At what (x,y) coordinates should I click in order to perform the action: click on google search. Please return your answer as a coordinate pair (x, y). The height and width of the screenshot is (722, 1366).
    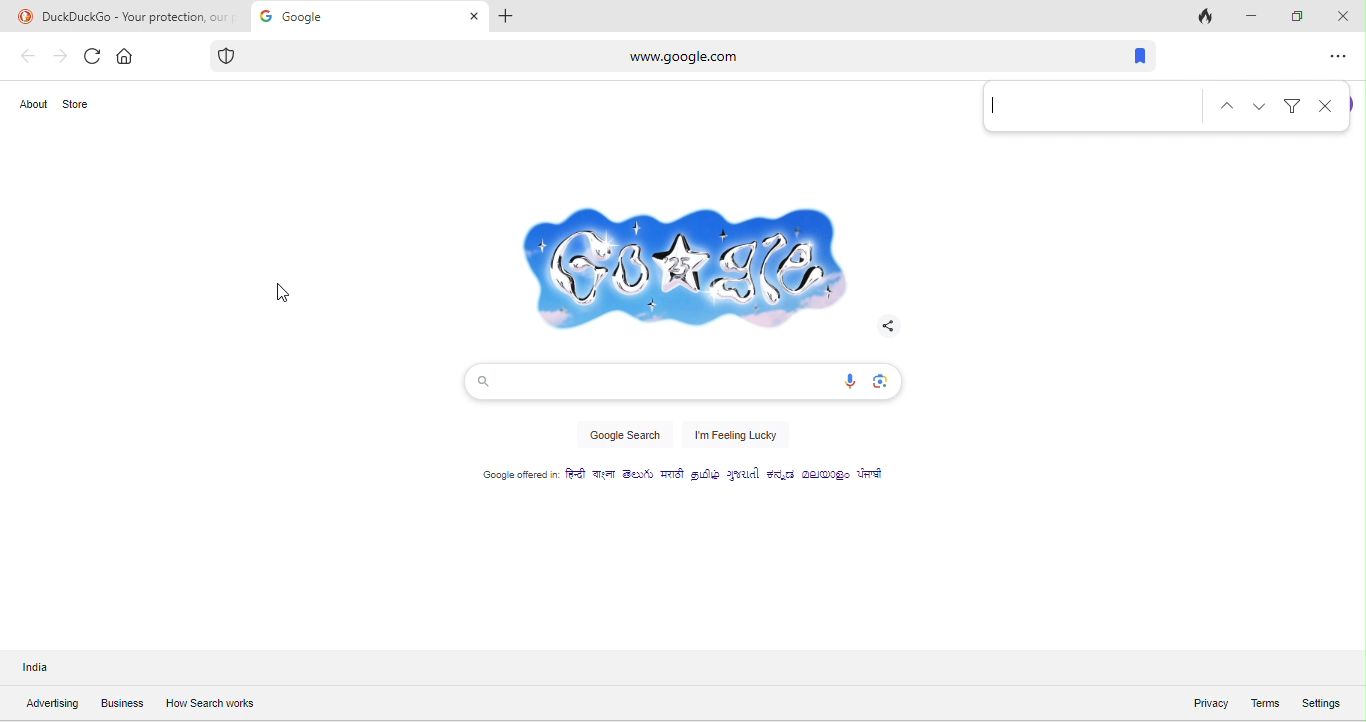
    Looking at the image, I should click on (623, 439).